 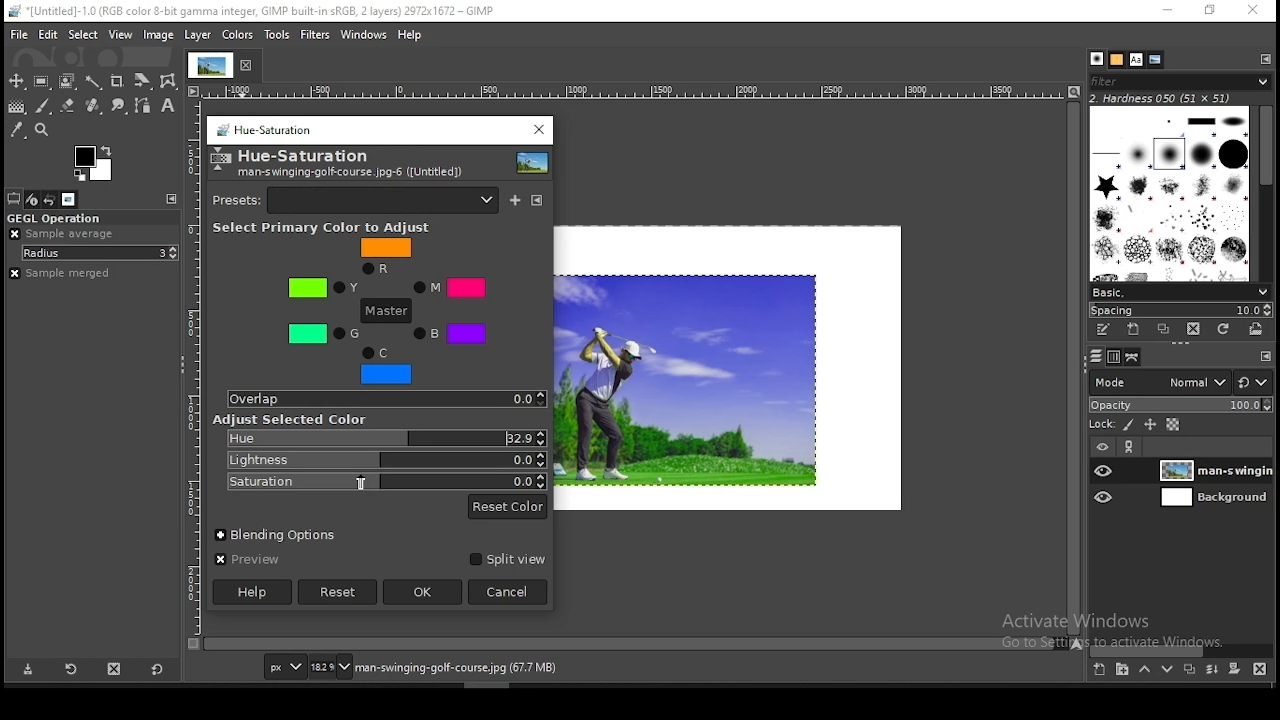 What do you see at coordinates (324, 288) in the screenshot?
I see `Y` at bounding box center [324, 288].